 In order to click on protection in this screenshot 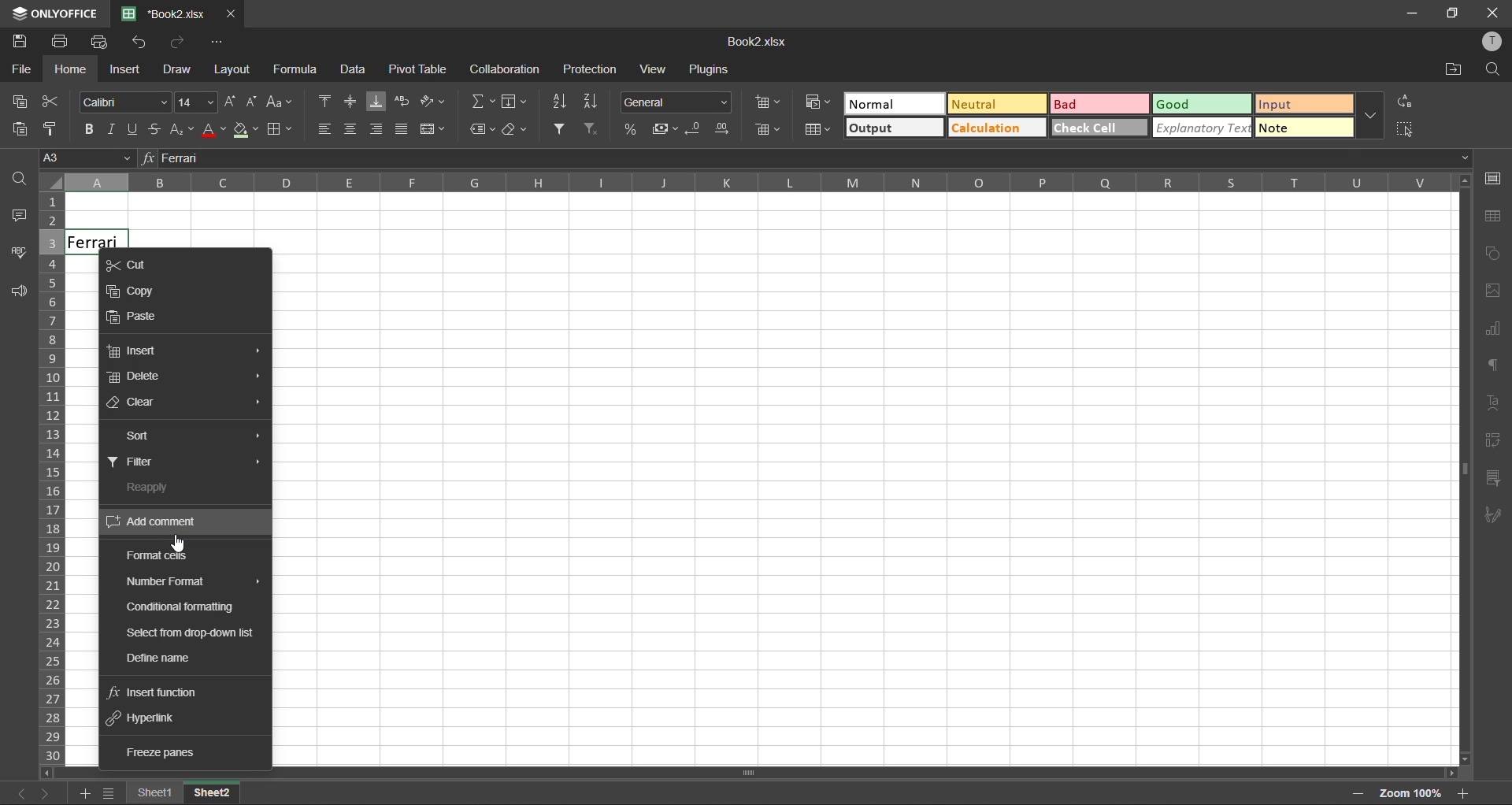, I will do `click(589, 67)`.